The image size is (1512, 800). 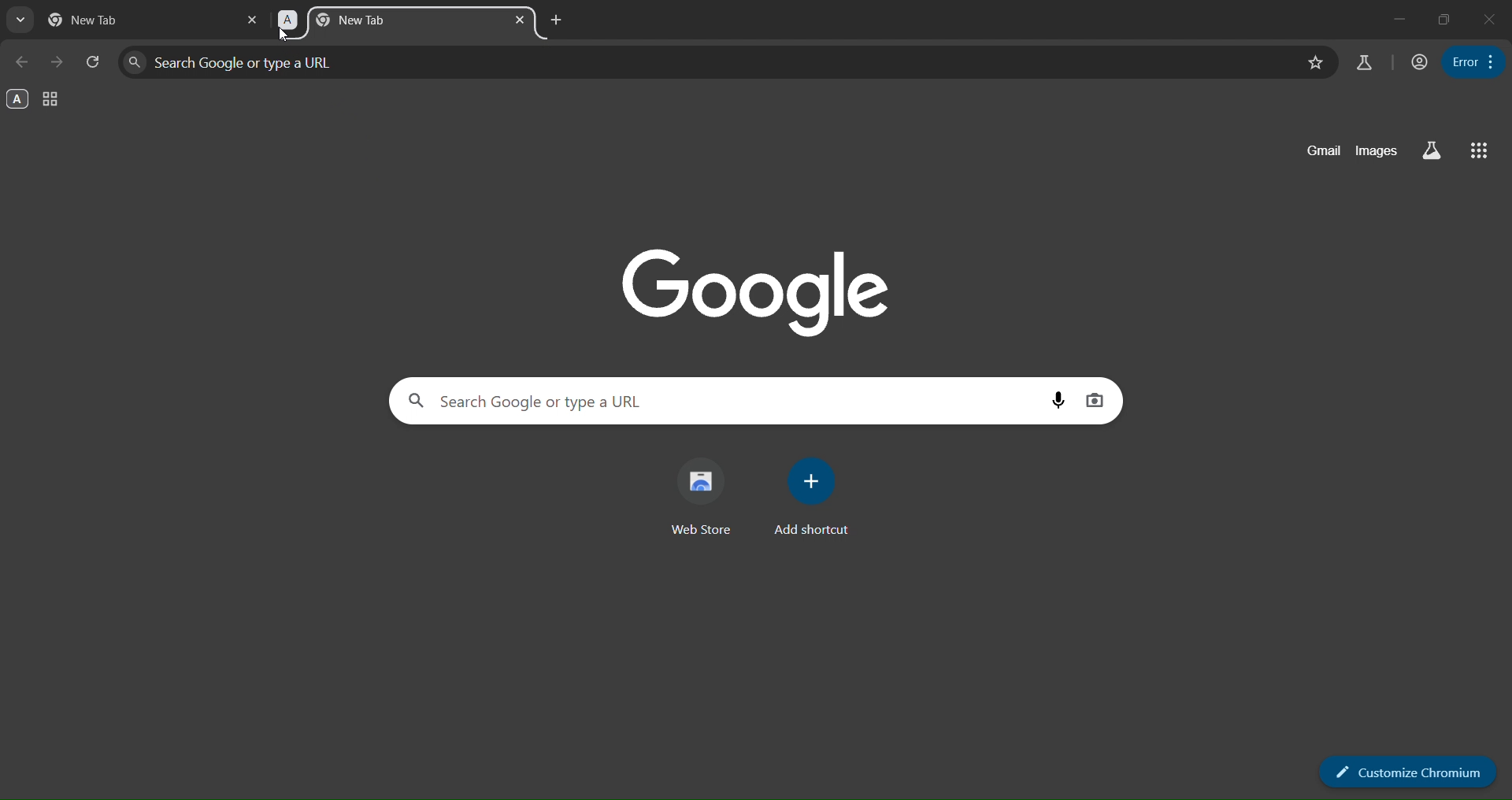 I want to click on menu, so click(x=1474, y=61).